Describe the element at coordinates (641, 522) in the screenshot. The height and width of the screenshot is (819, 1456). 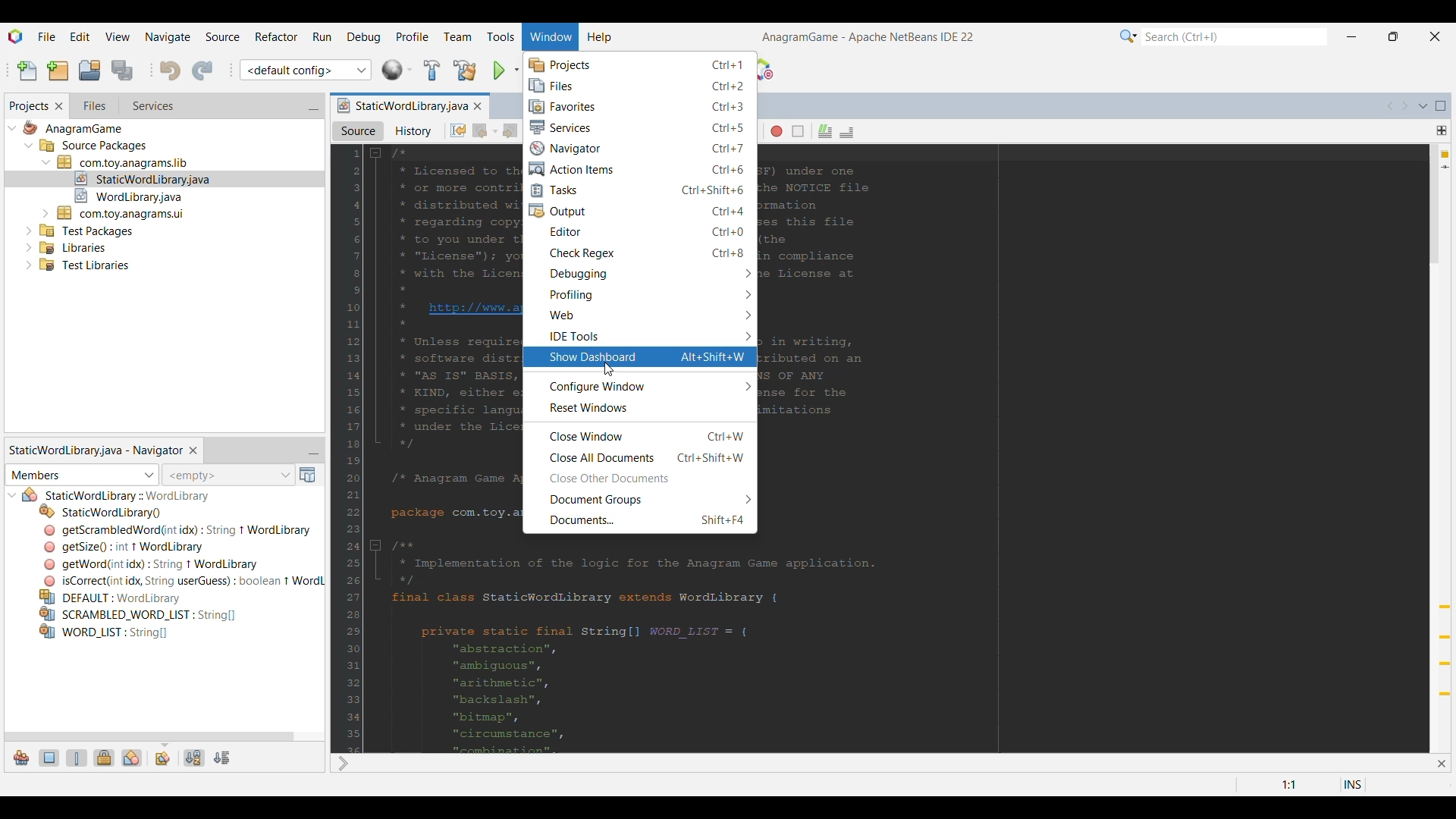
I see `Documents` at that location.